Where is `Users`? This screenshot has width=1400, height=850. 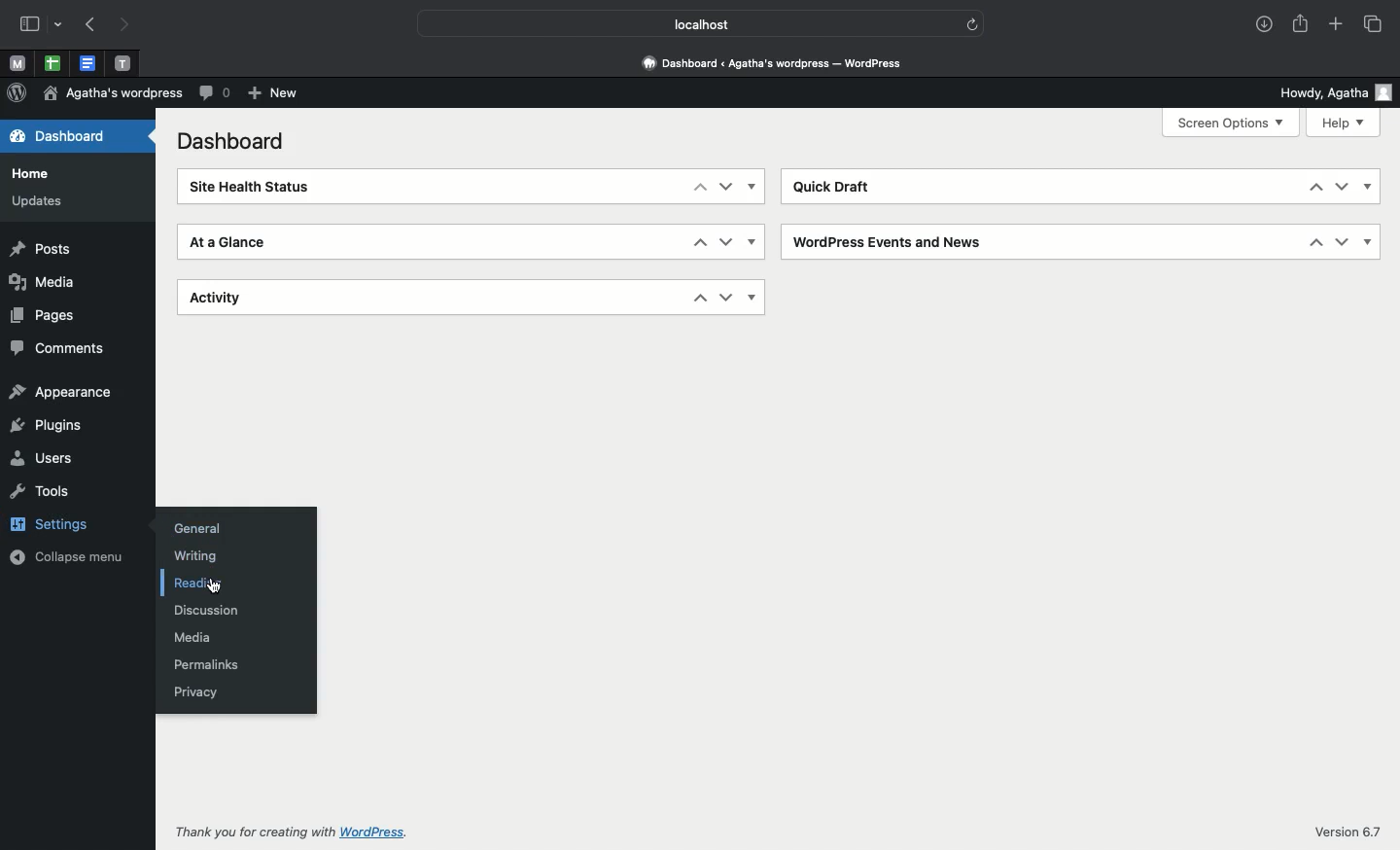
Users is located at coordinates (45, 460).